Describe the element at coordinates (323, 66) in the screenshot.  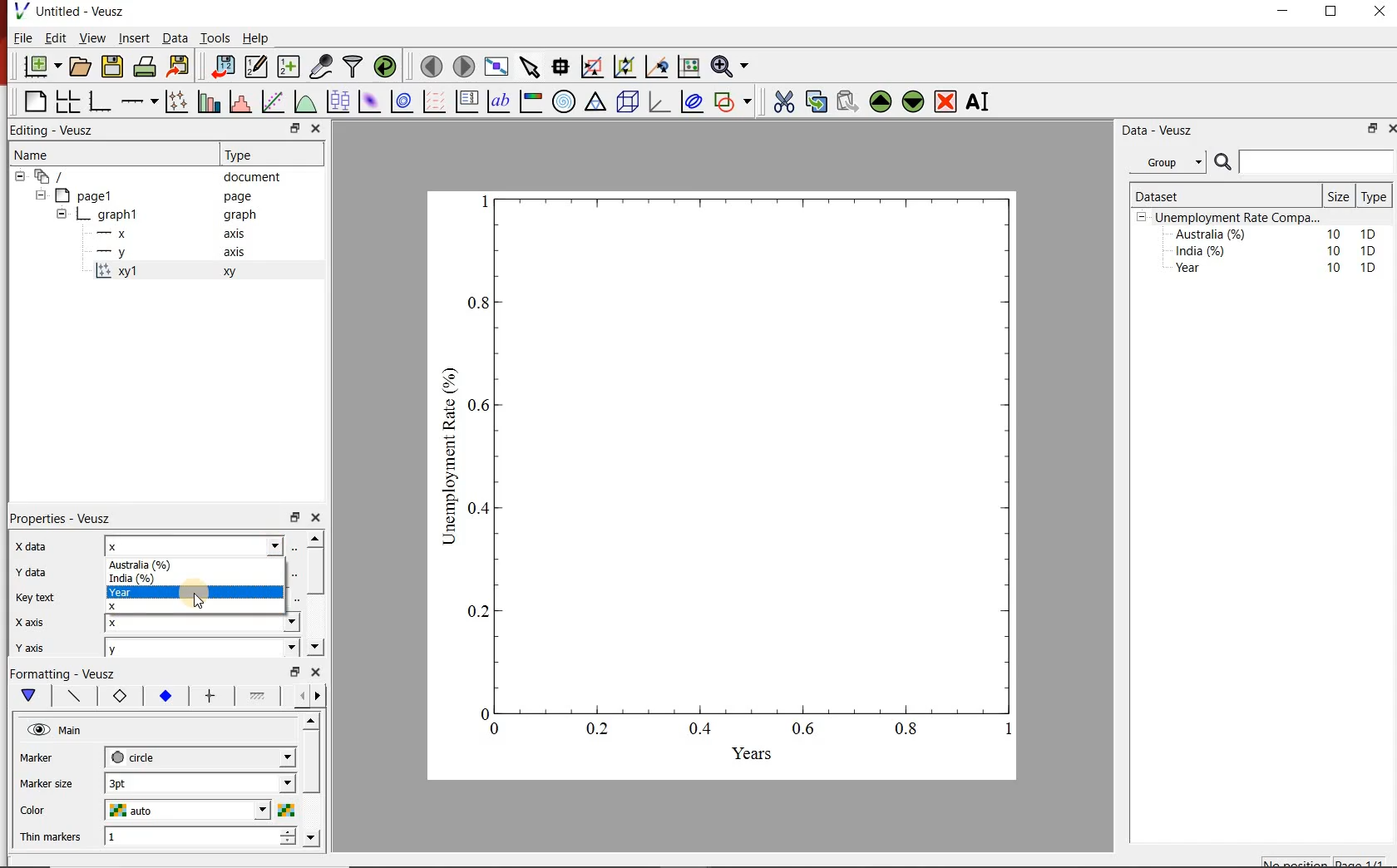
I see `caputure remote data` at that location.